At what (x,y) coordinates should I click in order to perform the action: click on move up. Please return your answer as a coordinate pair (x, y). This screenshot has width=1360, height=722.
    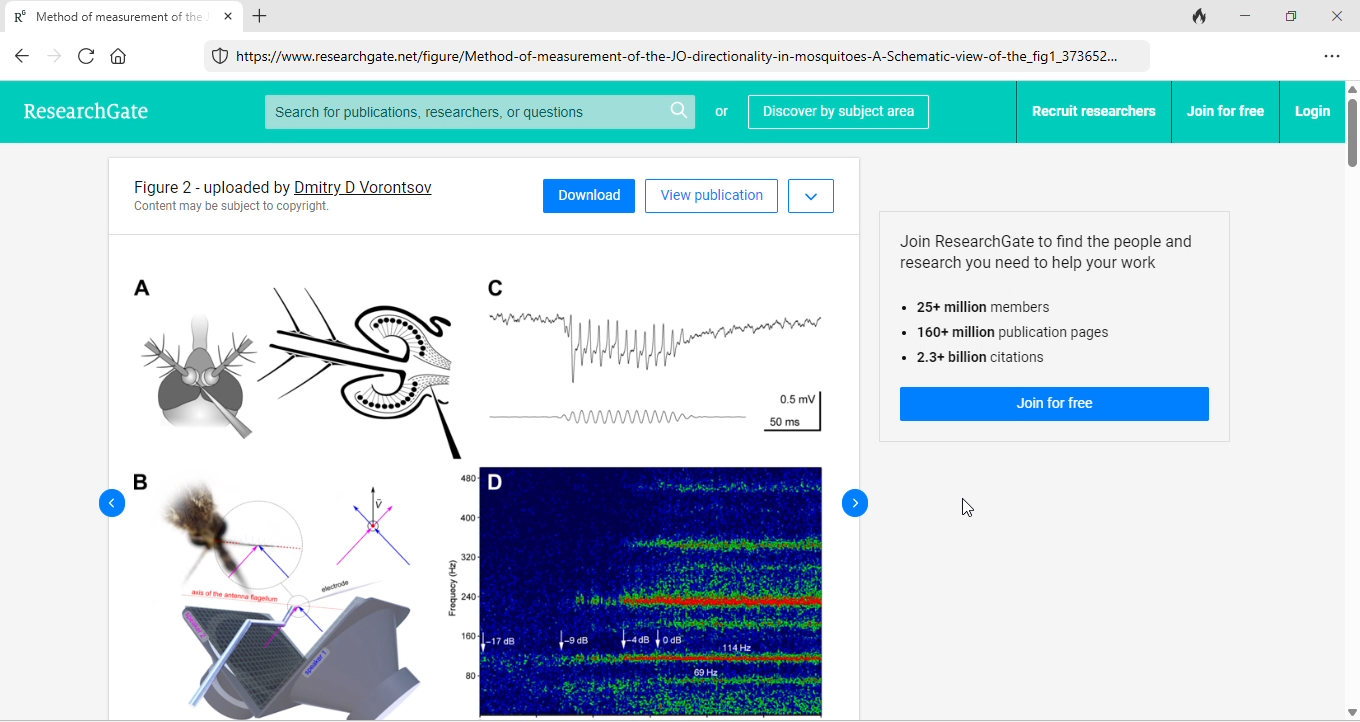
    Looking at the image, I should click on (1352, 89).